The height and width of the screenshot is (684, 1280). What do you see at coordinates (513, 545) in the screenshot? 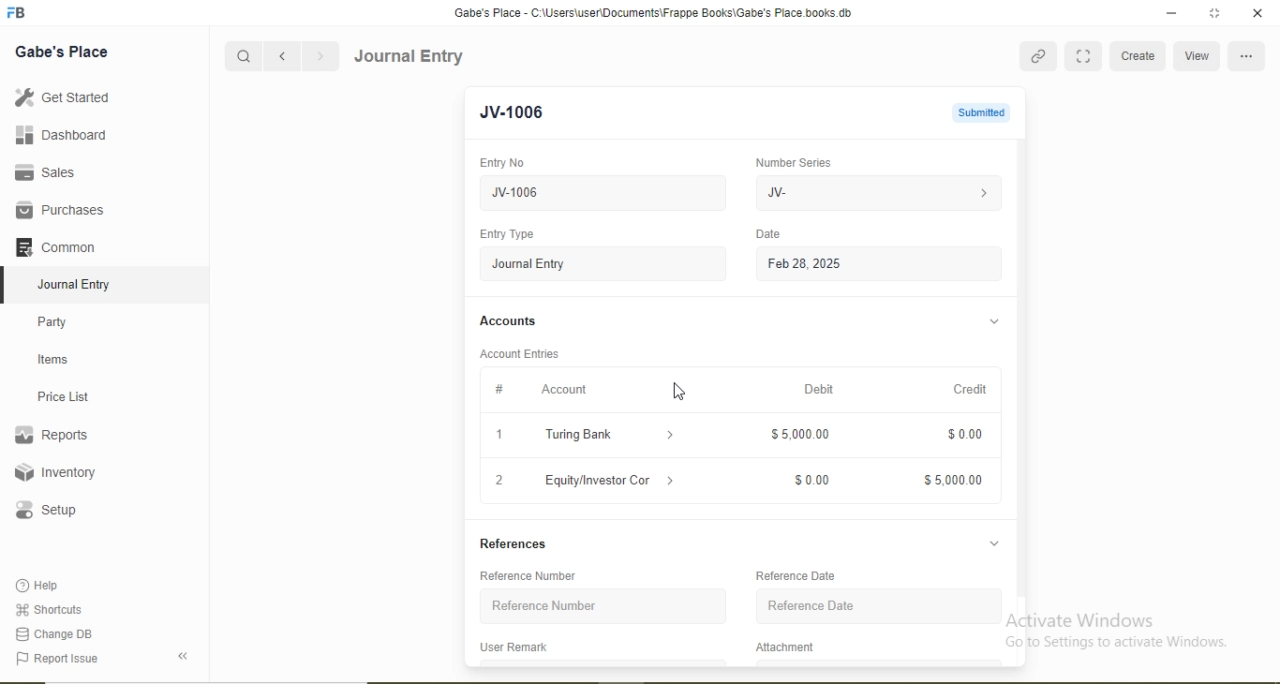
I see `References` at bounding box center [513, 545].